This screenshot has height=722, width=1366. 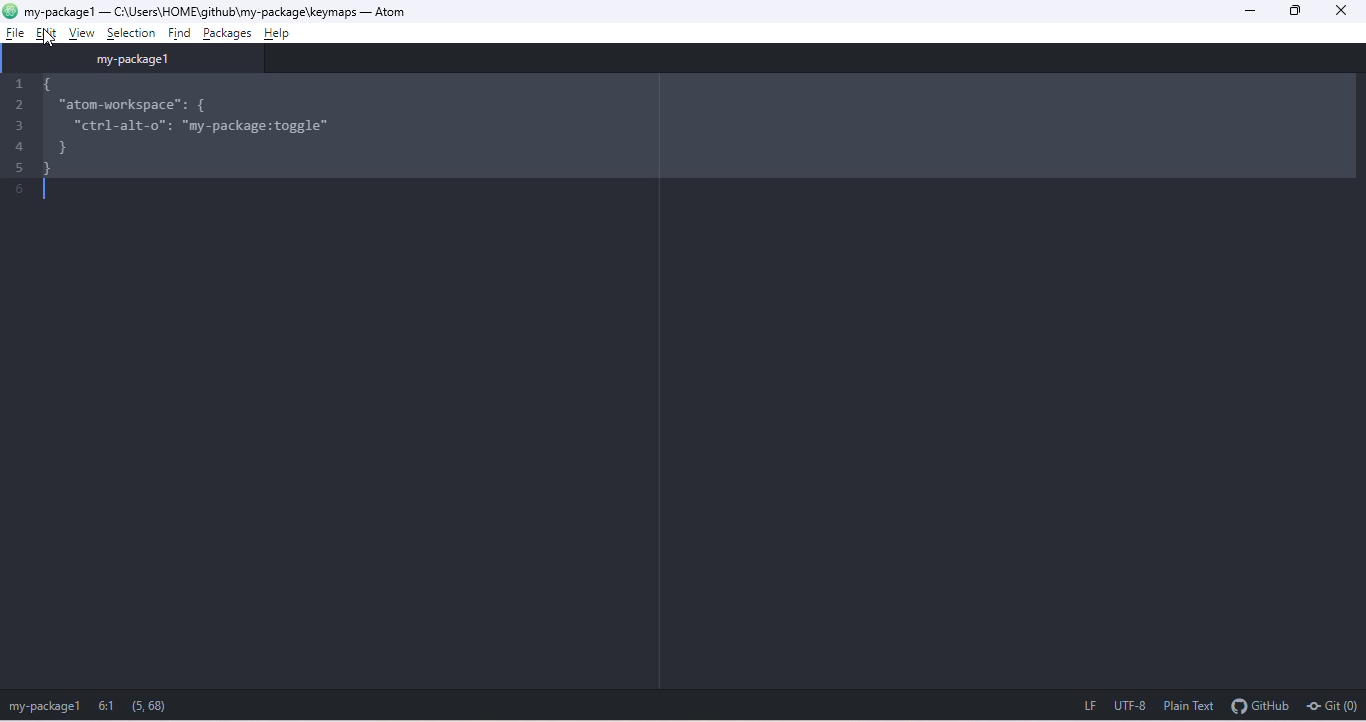 What do you see at coordinates (1261, 708) in the screenshot?
I see `git hub` at bounding box center [1261, 708].